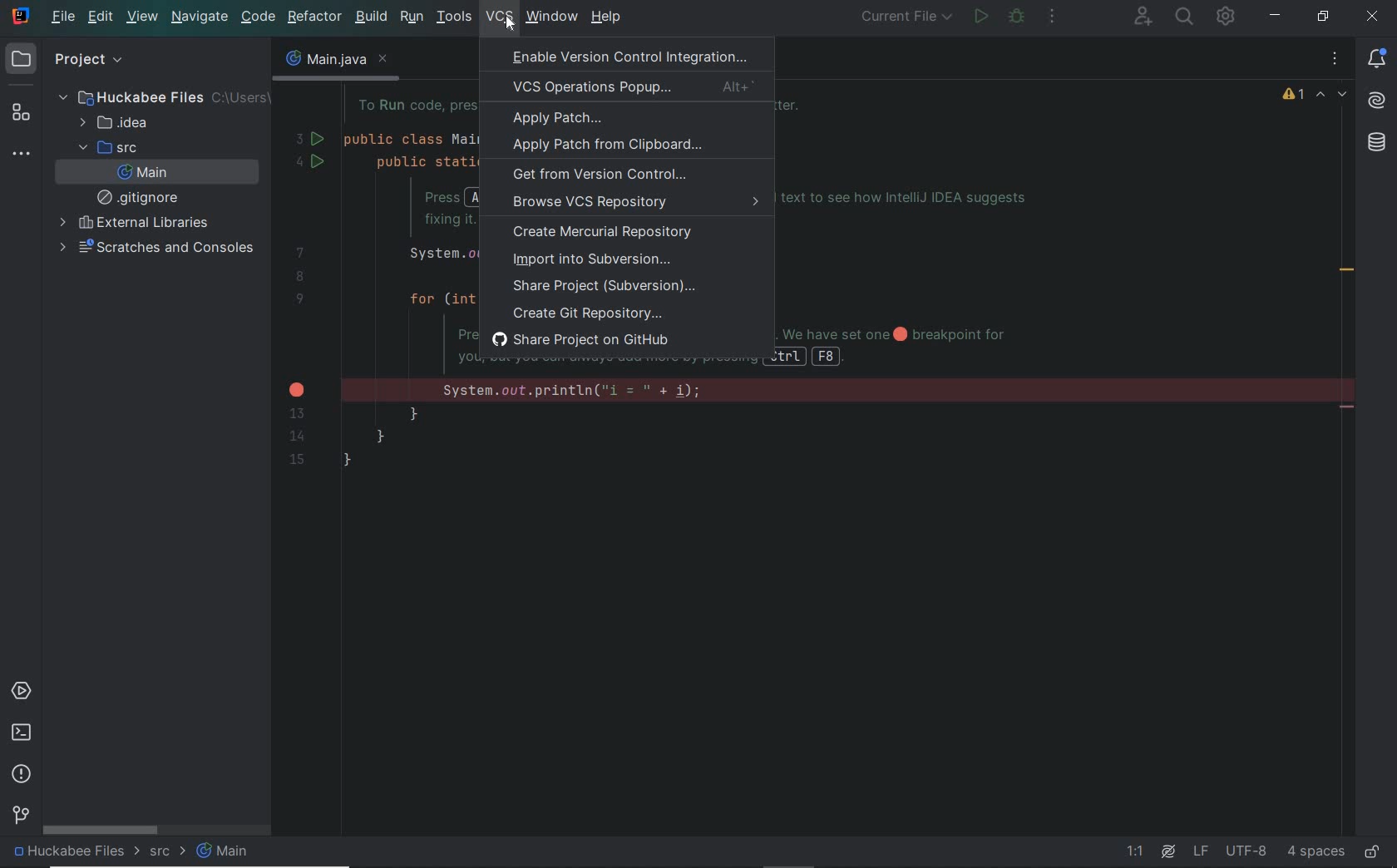 The height and width of the screenshot is (868, 1397). Describe the element at coordinates (1380, 60) in the screenshot. I see `notifications` at that location.